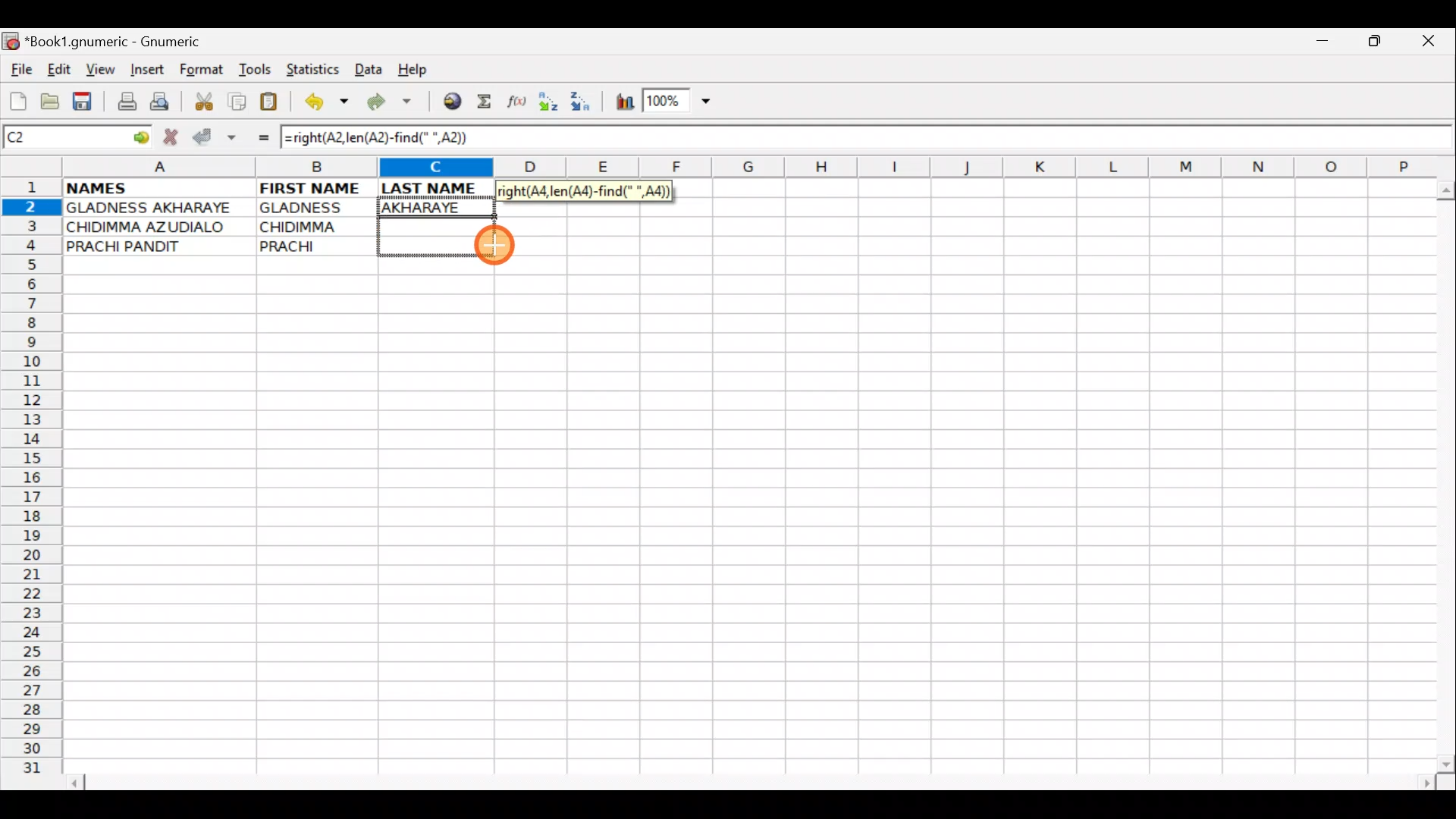  Describe the element at coordinates (413, 70) in the screenshot. I see `Help` at that location.